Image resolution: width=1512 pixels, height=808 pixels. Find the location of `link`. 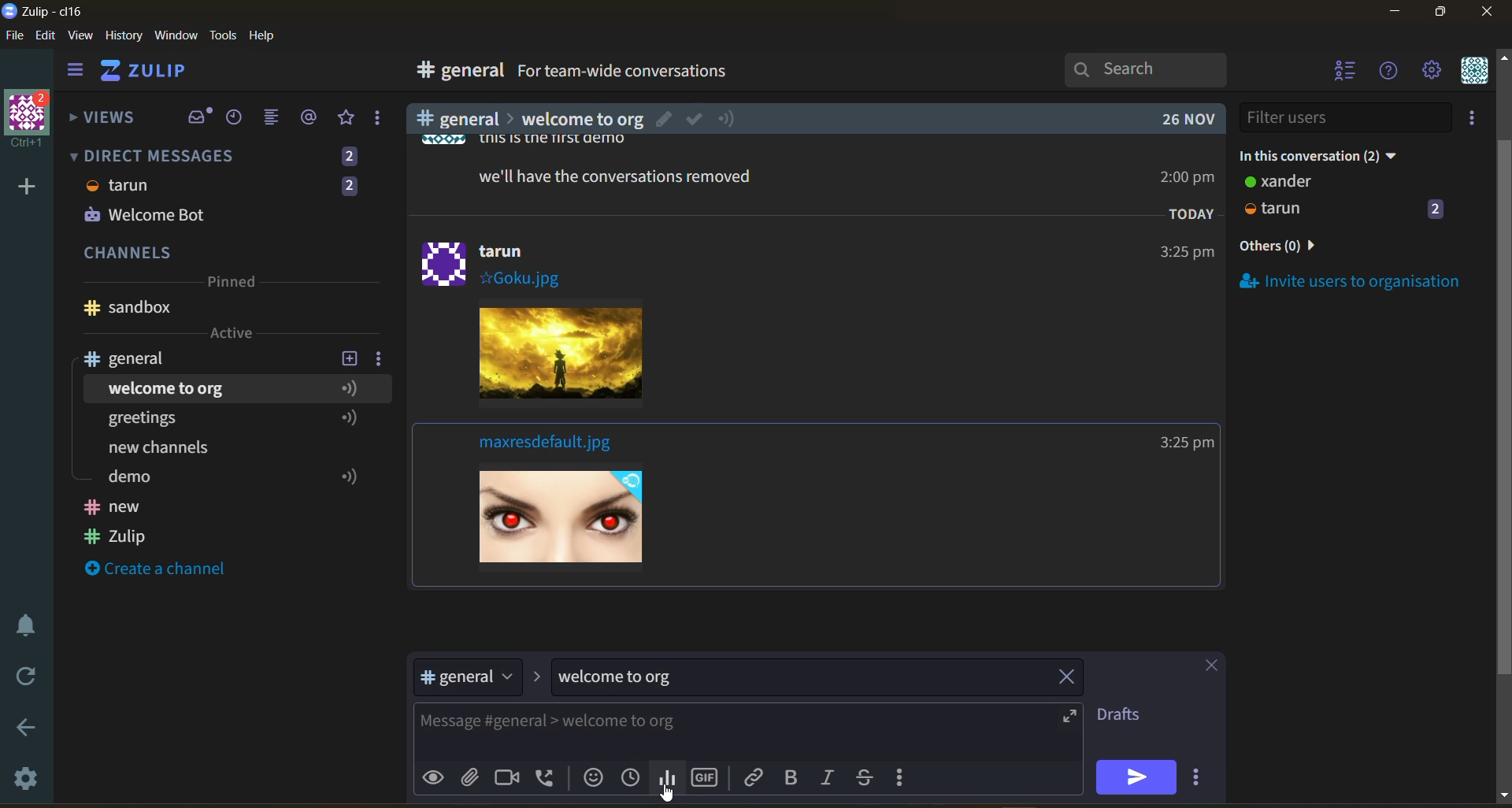

link is located at coordinates (755, 776).